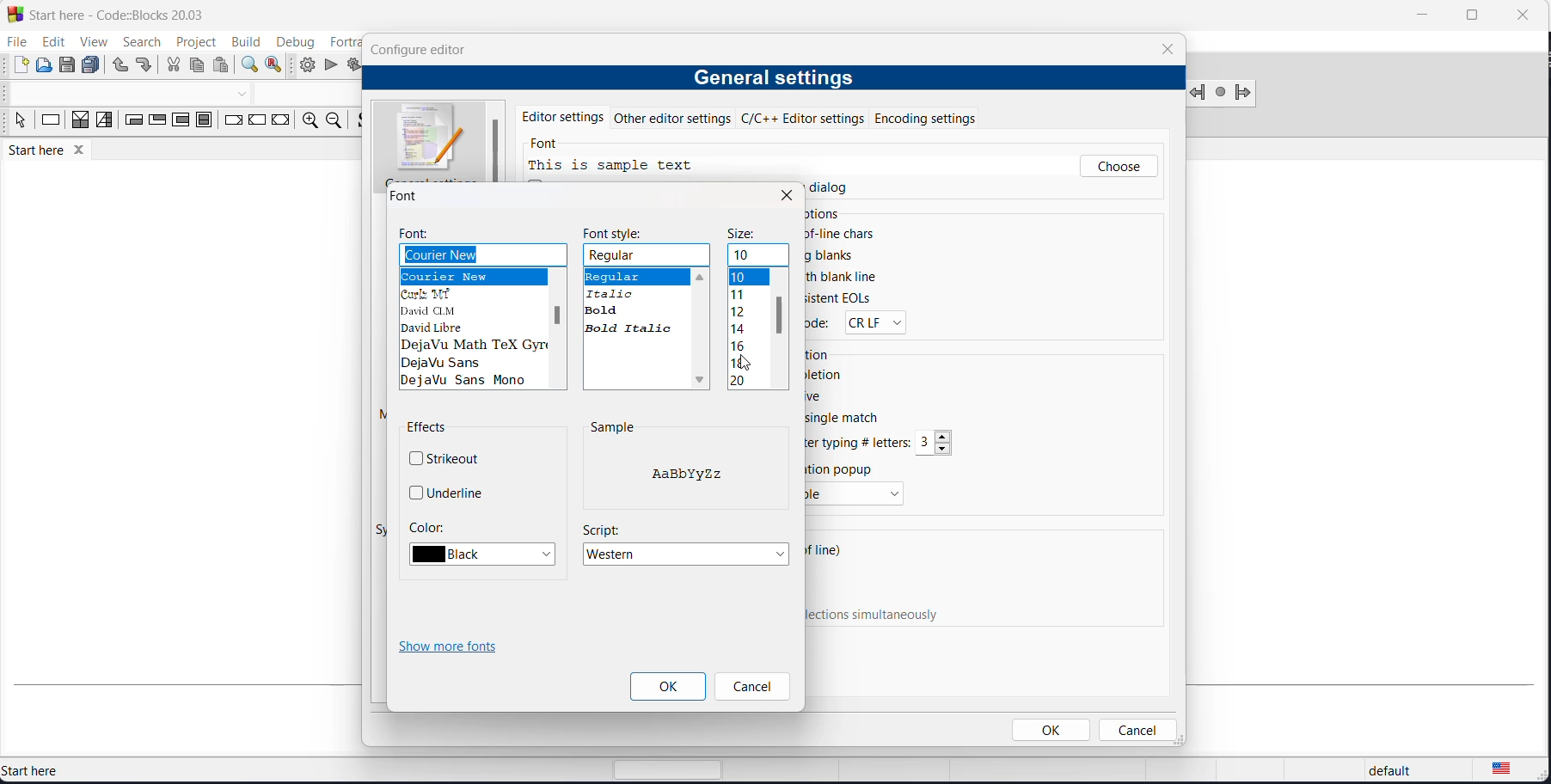  What do you see at coordinates (340, 40) in the screenshot?
I see `fortran` at bounding box center [340, 40].